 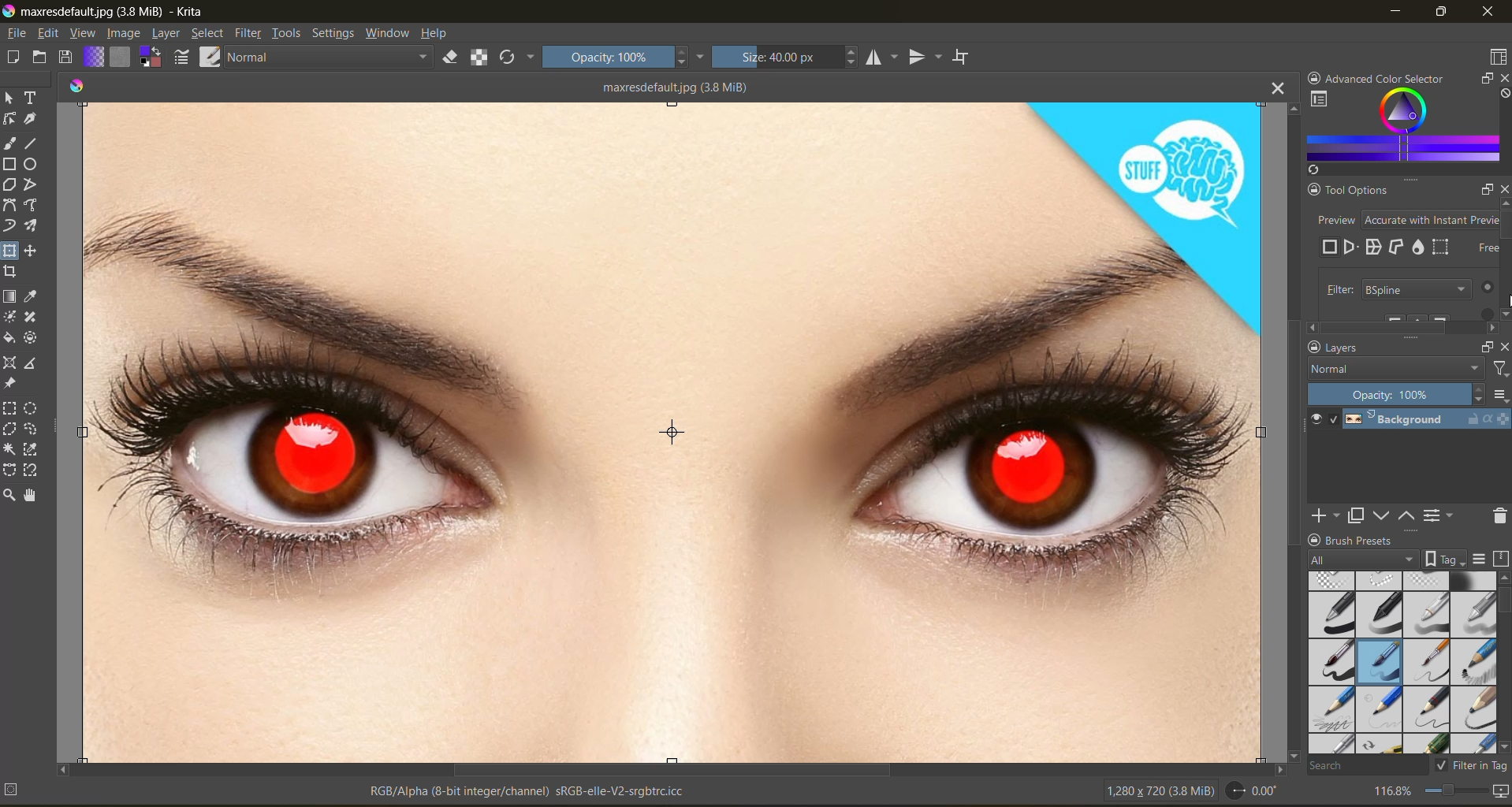 I want to click on tool, so click(x=35, y=184).